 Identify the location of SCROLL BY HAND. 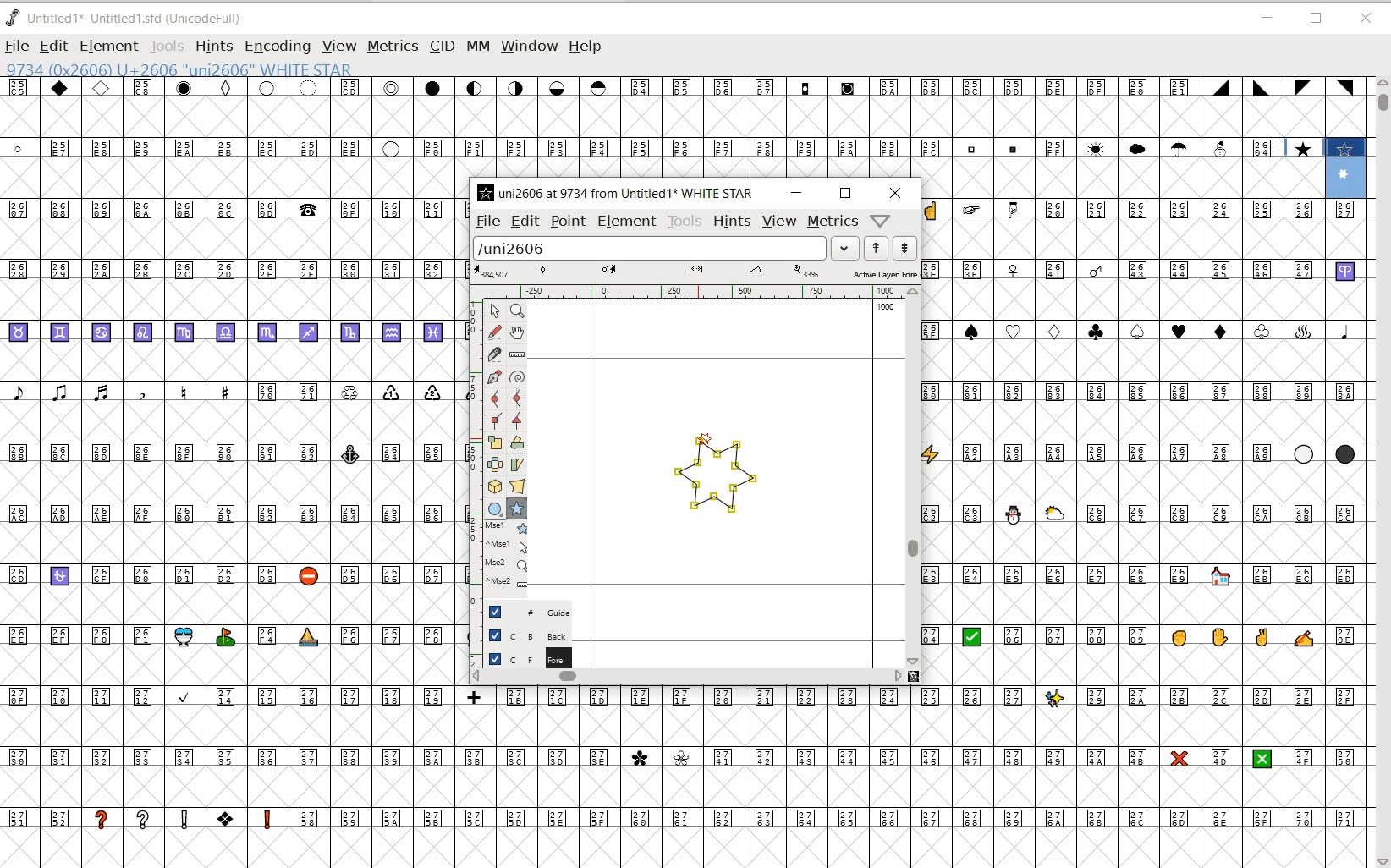
(516, 333).